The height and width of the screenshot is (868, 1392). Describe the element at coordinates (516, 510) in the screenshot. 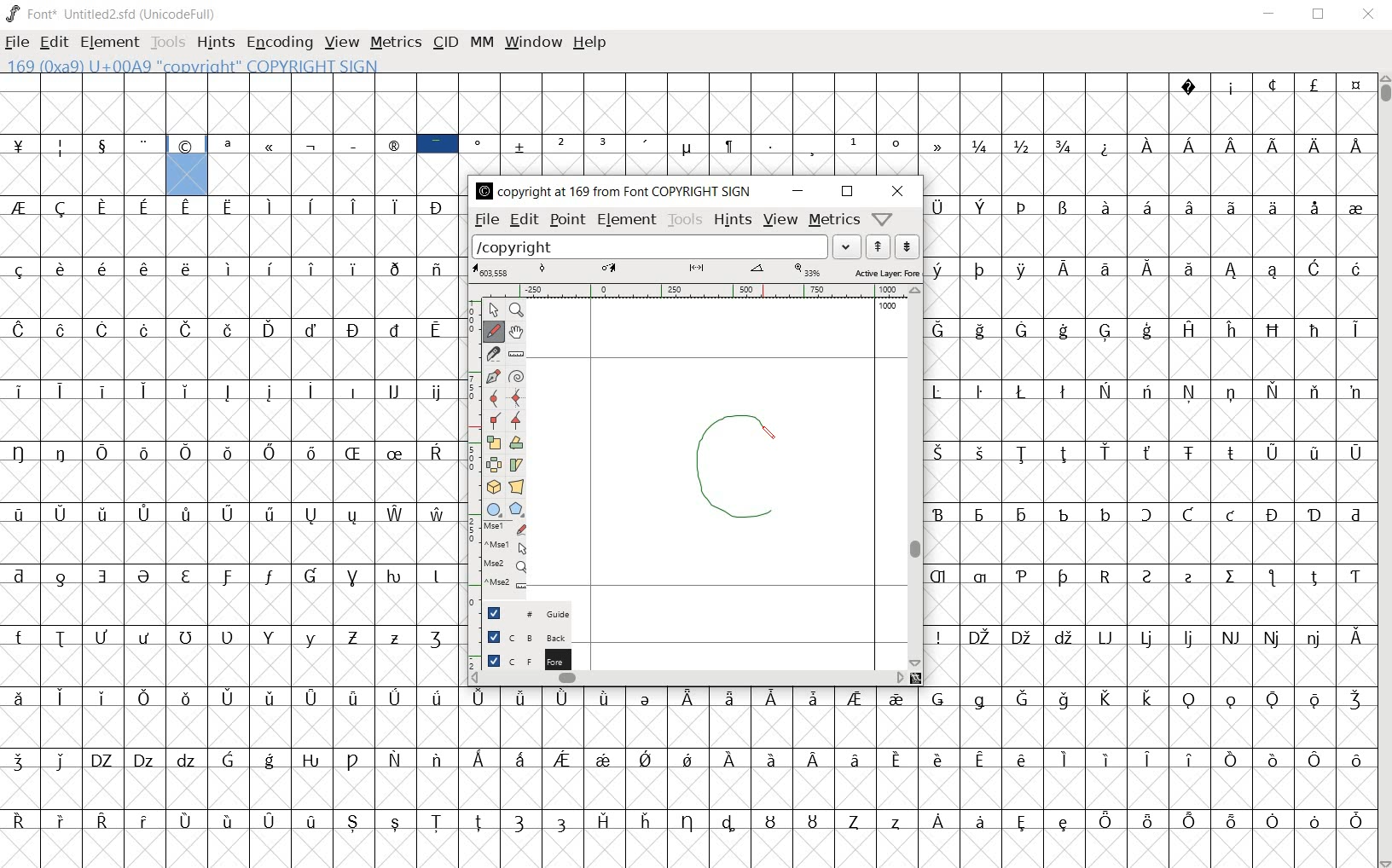

I see `polygon or star` at that location.